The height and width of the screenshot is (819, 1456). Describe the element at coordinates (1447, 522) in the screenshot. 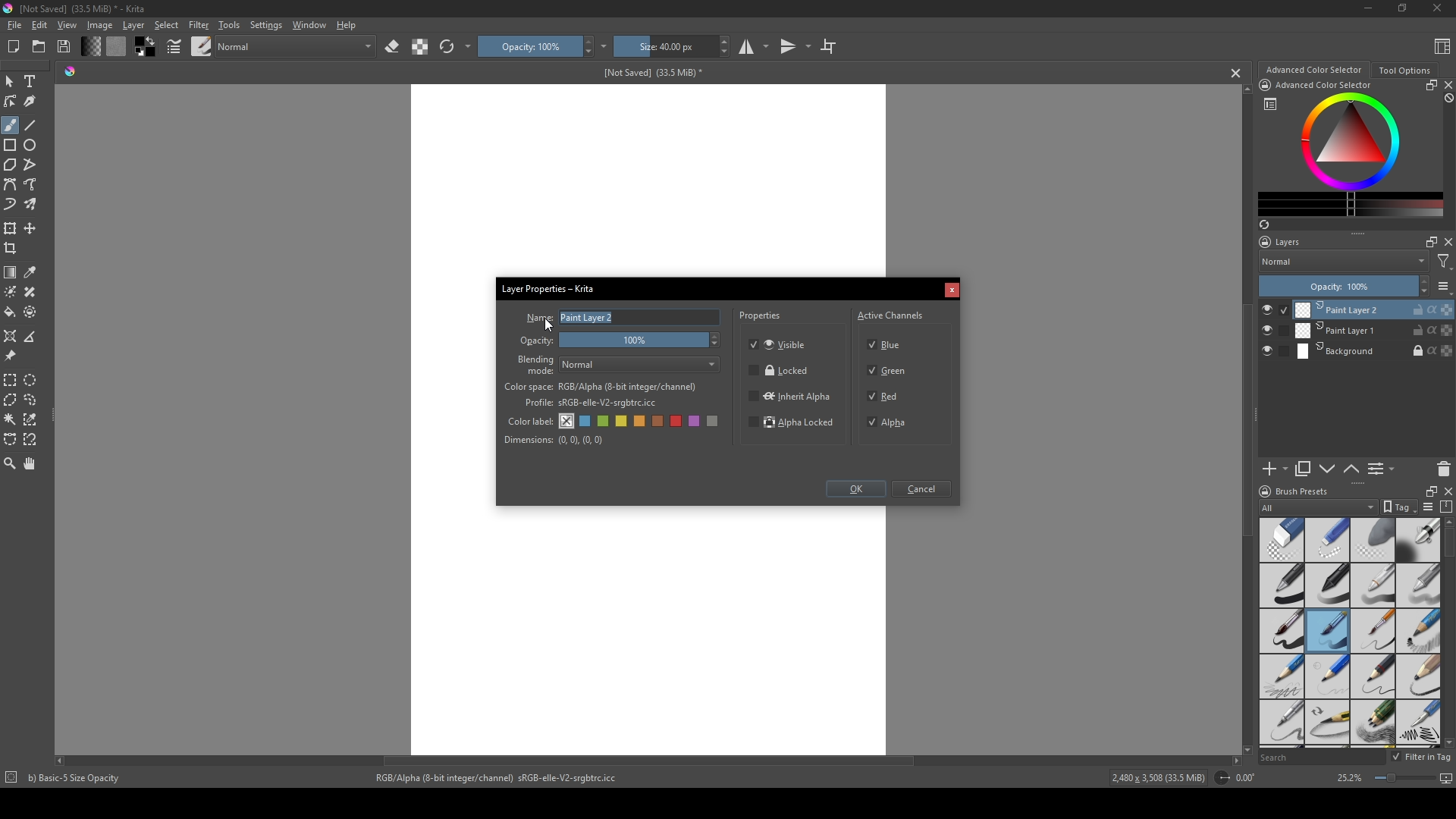

I see `scroll up` at that location.